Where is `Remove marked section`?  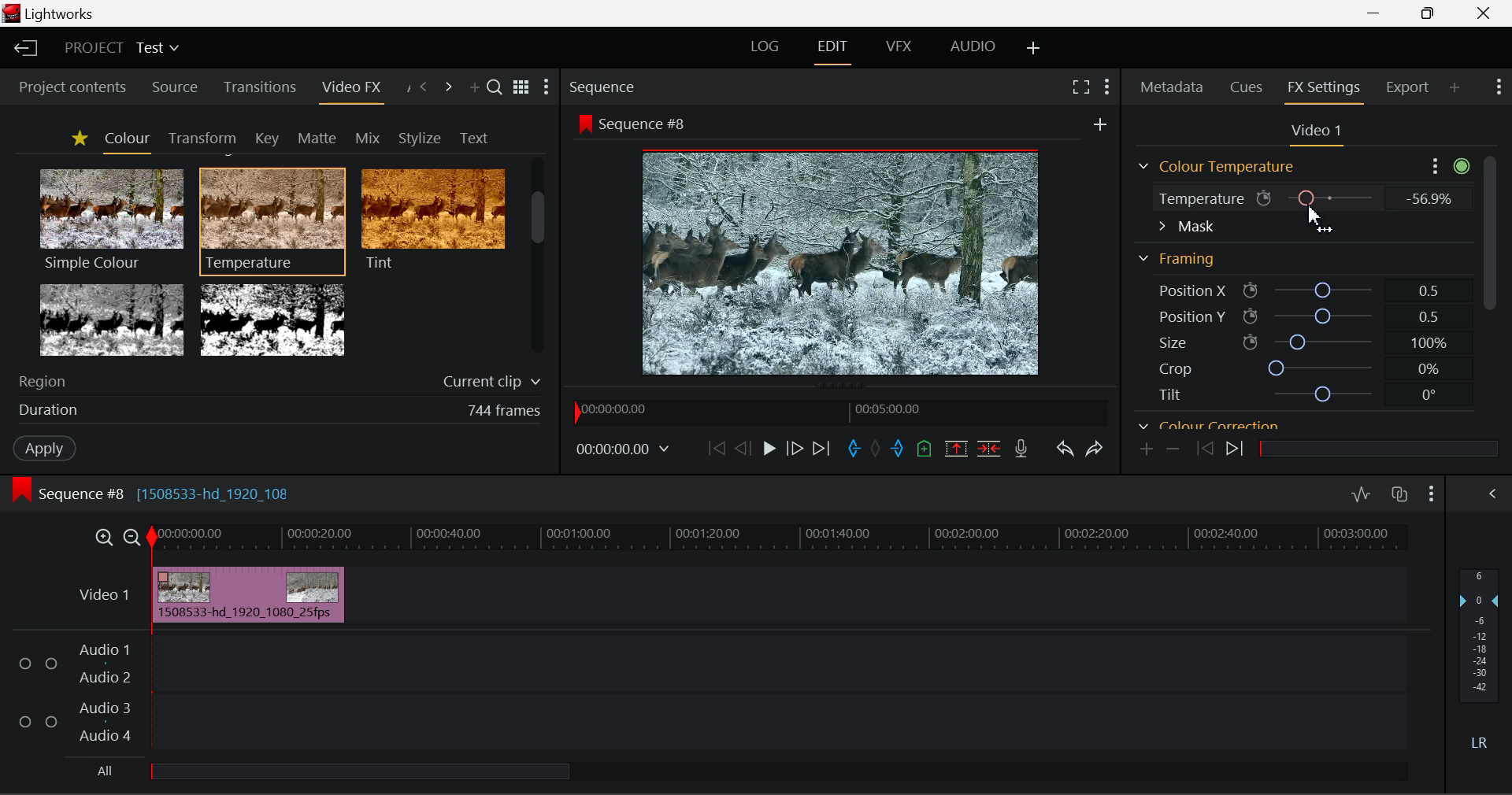 Remove marked section is located at coordinates (954, 449).